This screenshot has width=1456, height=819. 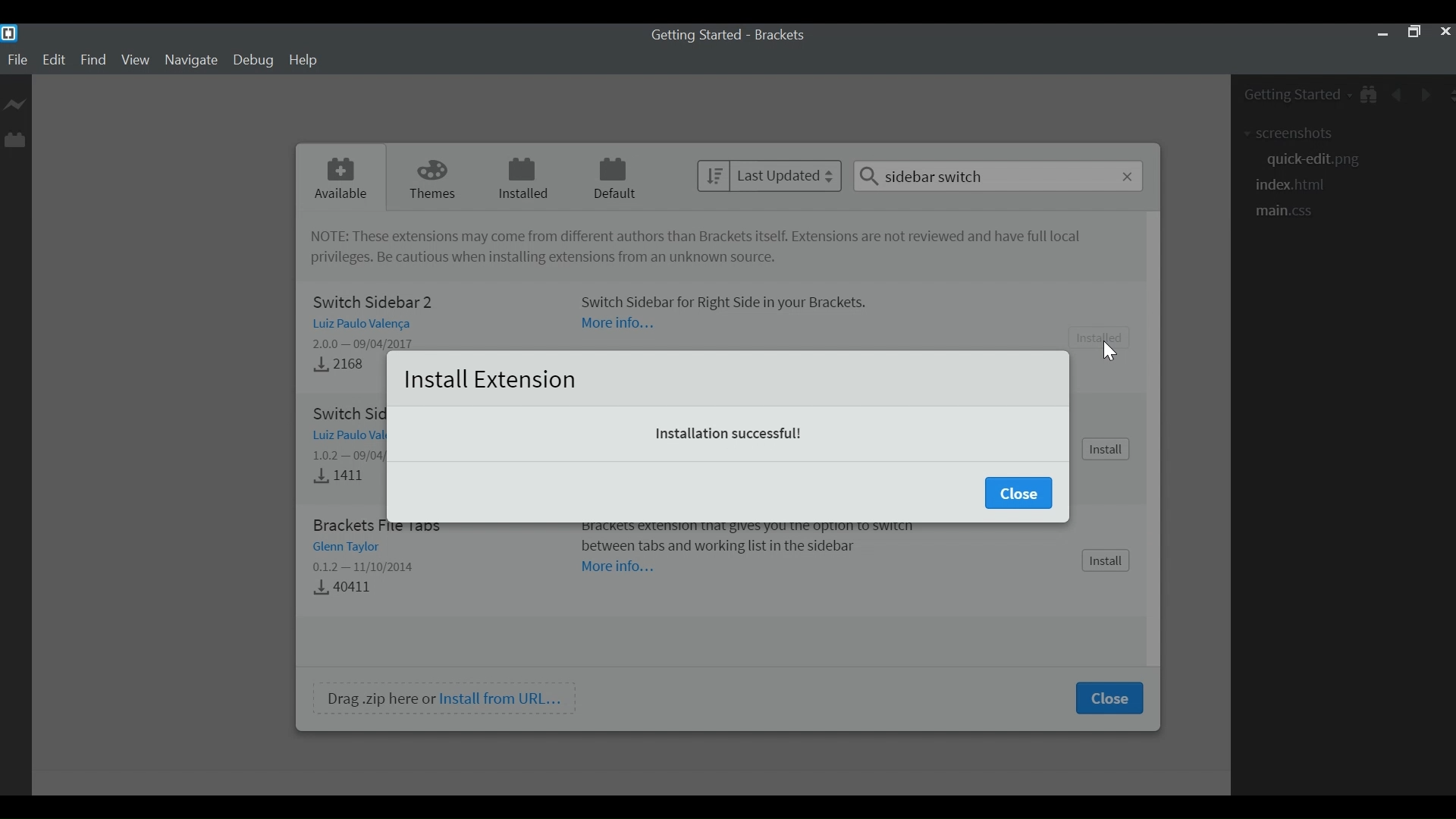 What do you see at coordinates (342, 176) in the screenshot?
I see `Available` at bounding box center [342, 176].